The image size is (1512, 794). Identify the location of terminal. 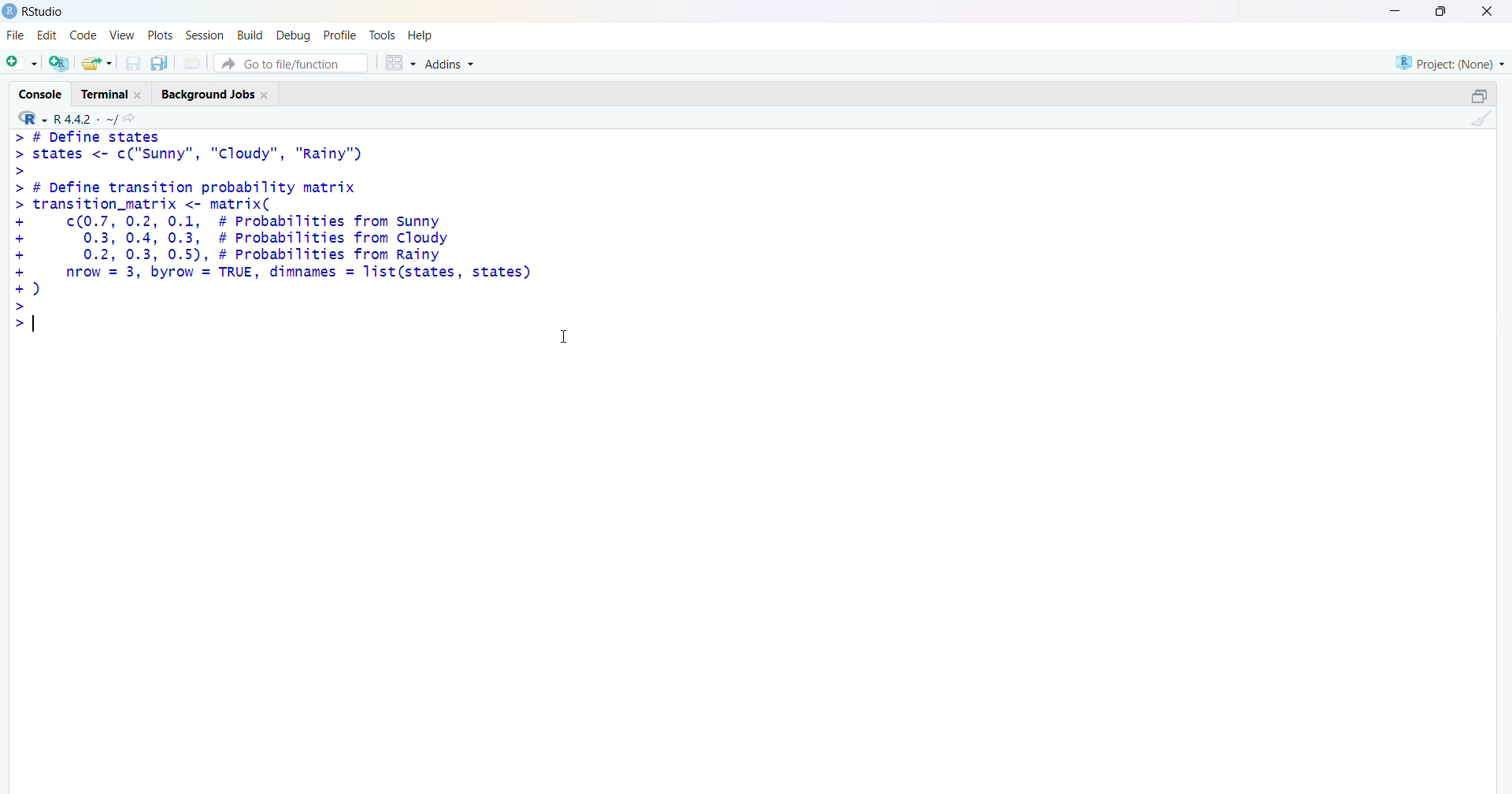
(113, 94).